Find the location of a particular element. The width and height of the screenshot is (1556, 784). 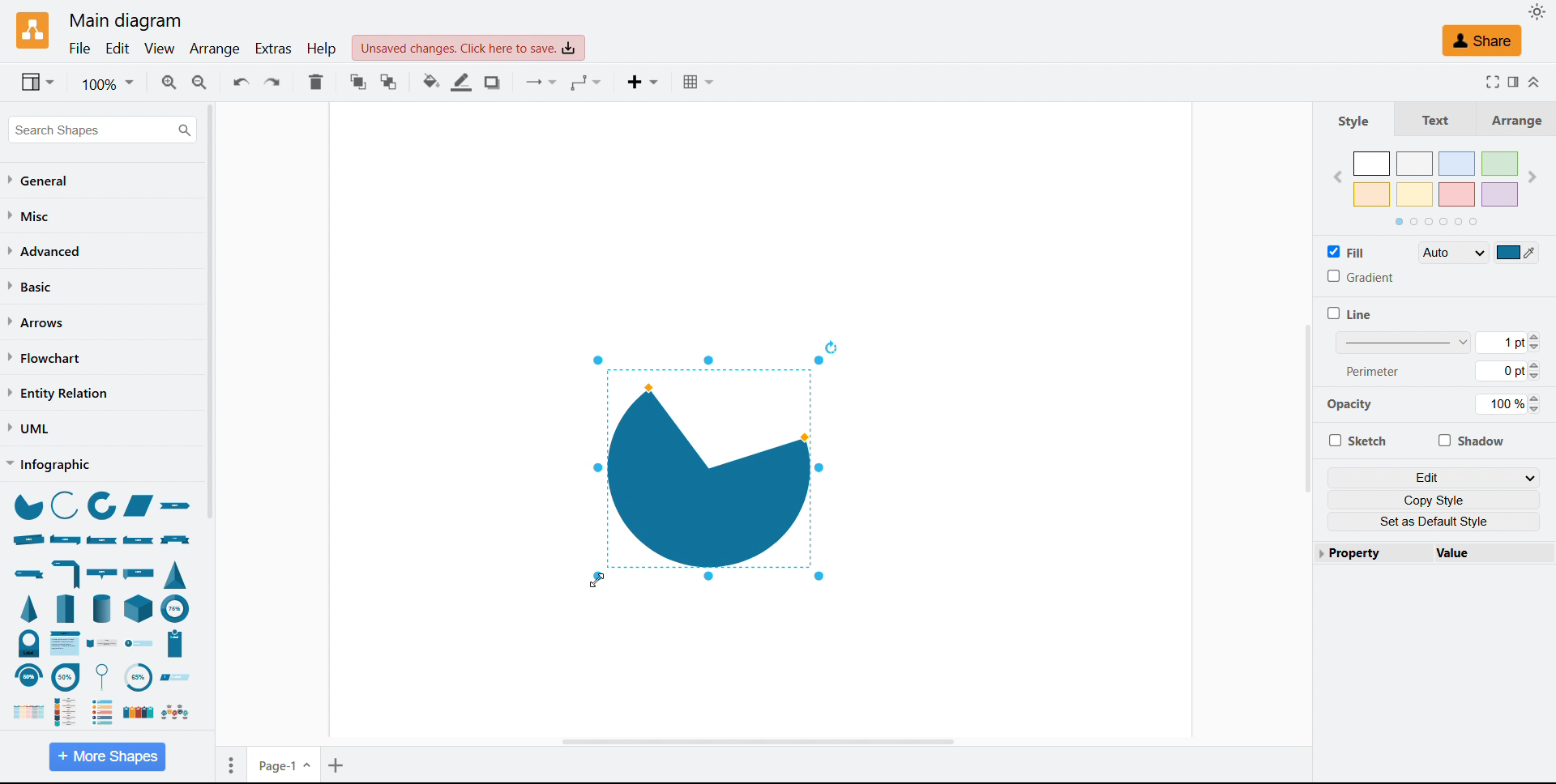

chevron list is located at coordinates (24, 713).